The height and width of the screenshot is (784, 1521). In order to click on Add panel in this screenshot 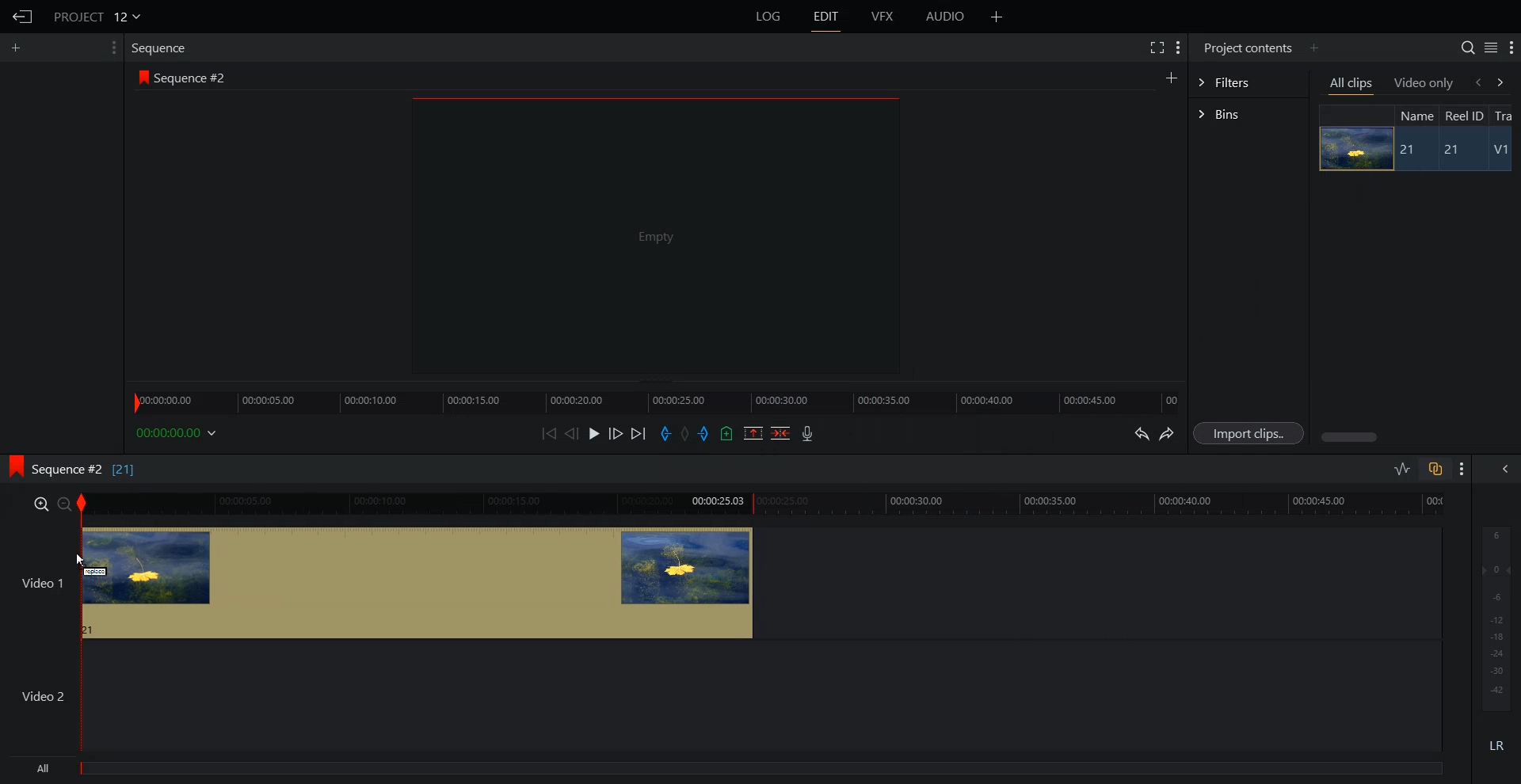, I will do `click(1171, 77)`.